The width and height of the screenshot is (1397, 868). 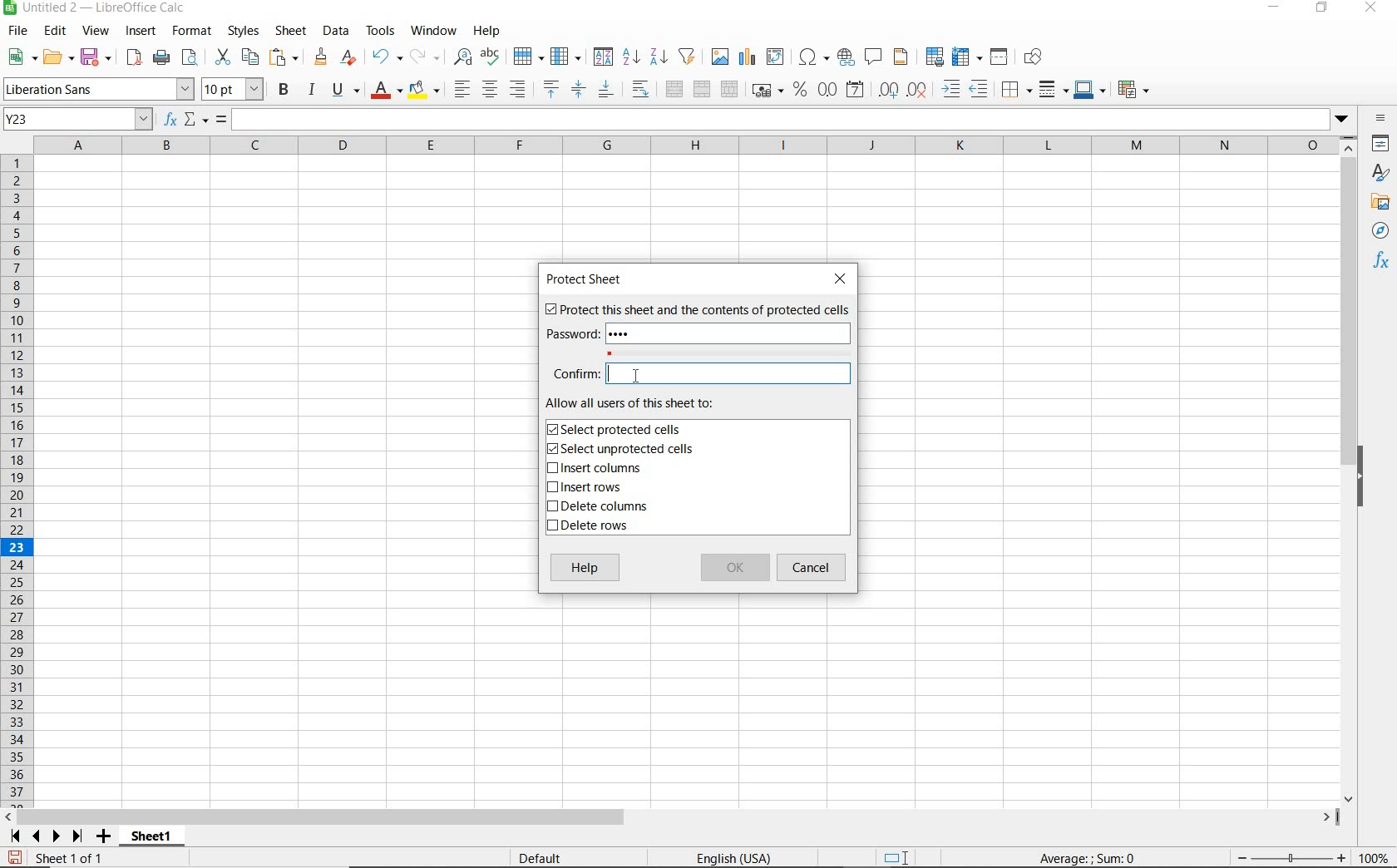 I want to click on WRAP TEXT, so click(x=640, y=90).